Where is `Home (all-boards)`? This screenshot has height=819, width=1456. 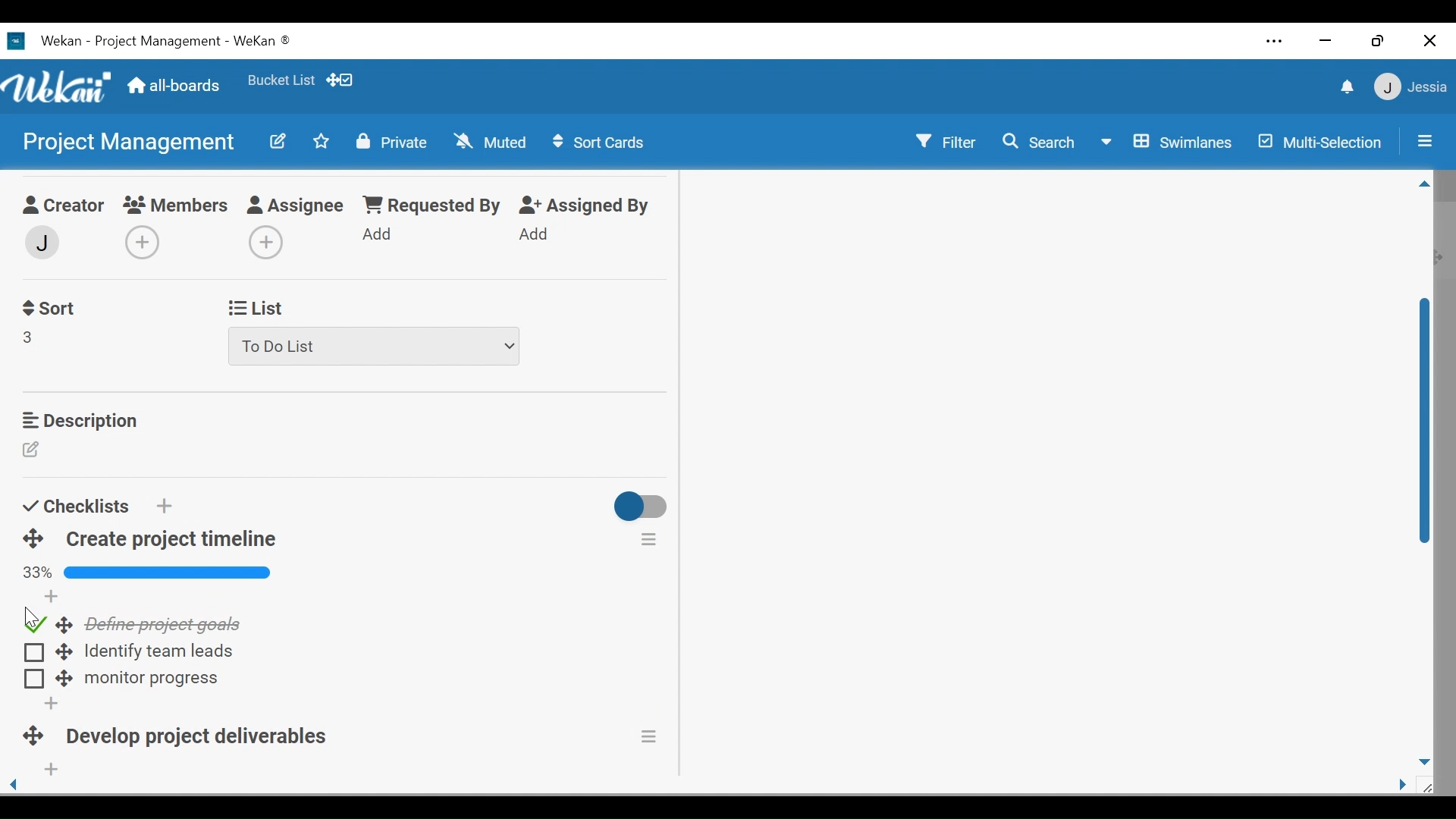
Home (all-boards) is located at coordinates (176, 88).